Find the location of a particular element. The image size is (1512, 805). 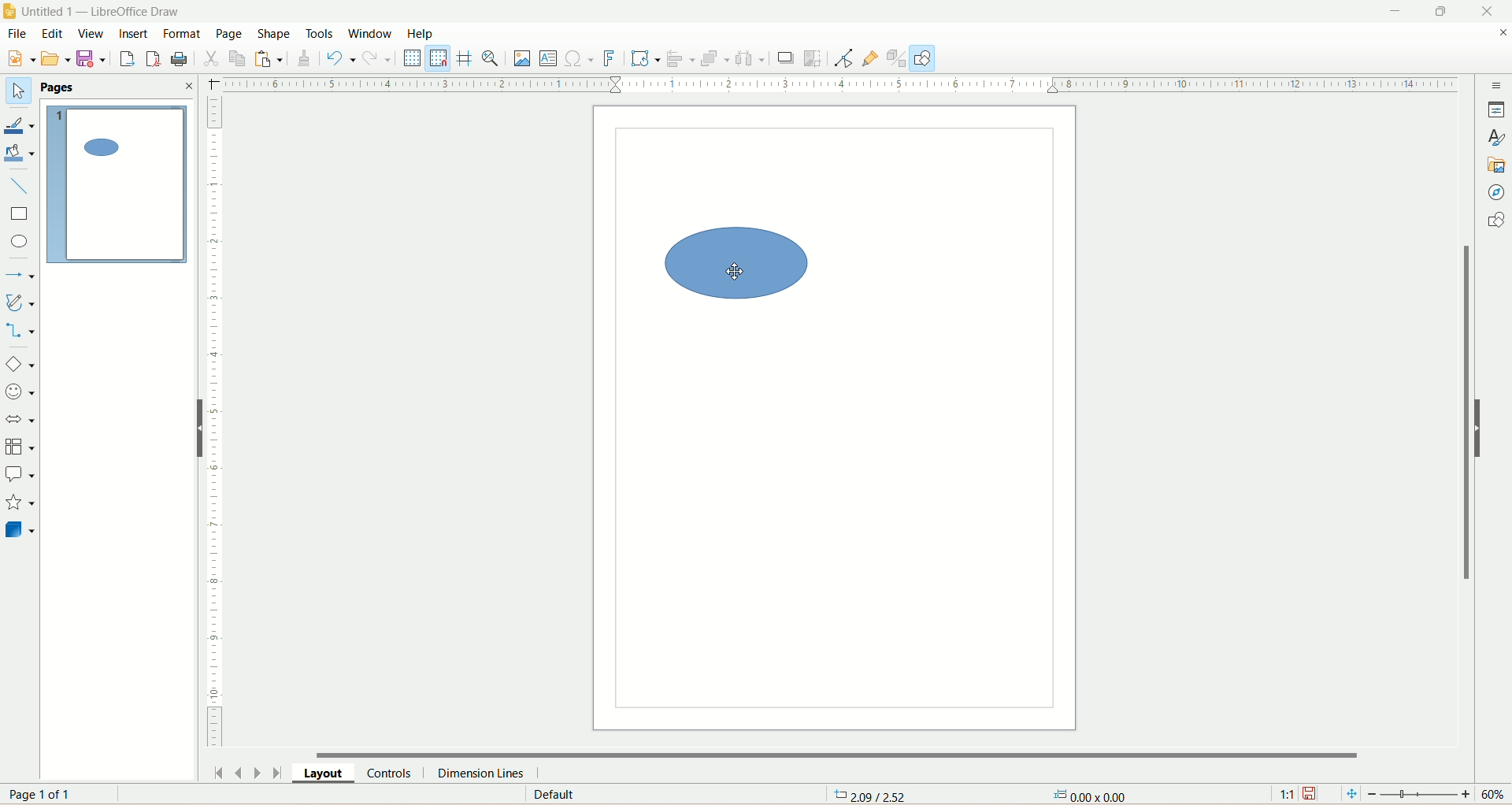

rectangle is located at coordinates (21, 213).